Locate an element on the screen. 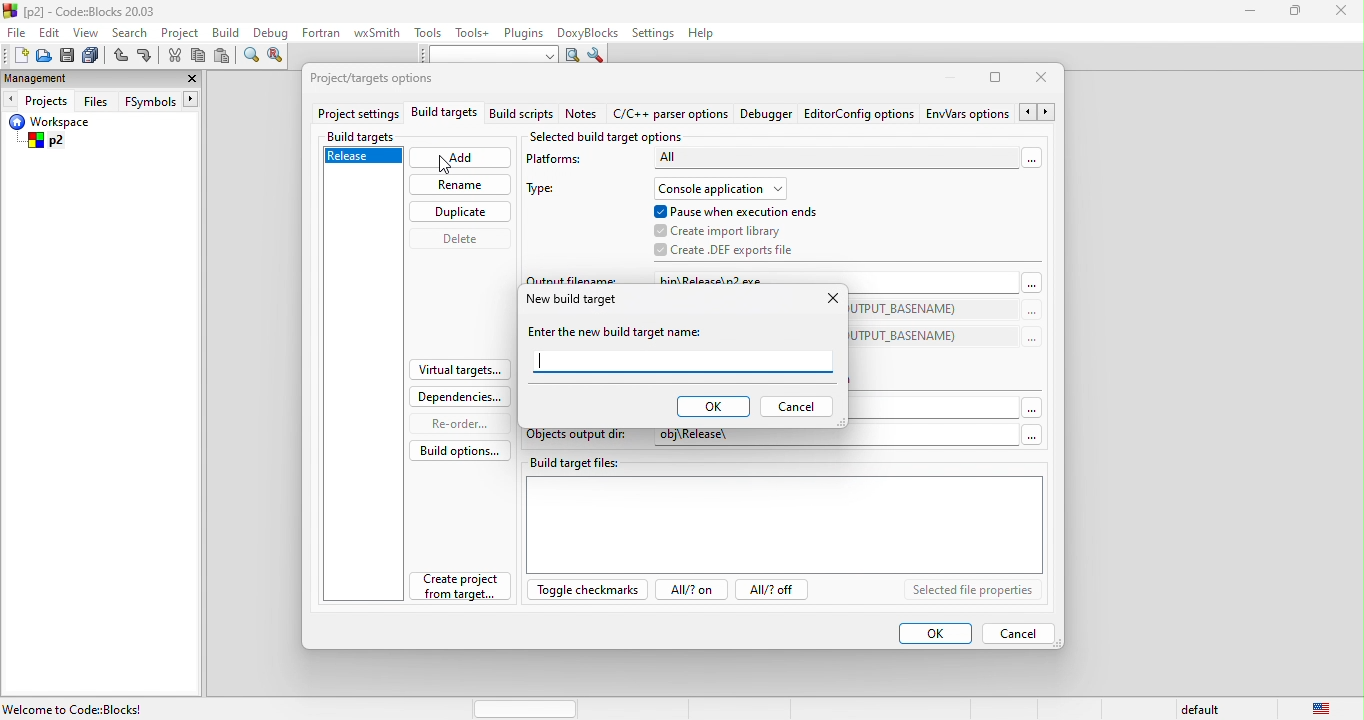 This screenshot has width=1364, height=720. management is located at coordinates (51, 78).